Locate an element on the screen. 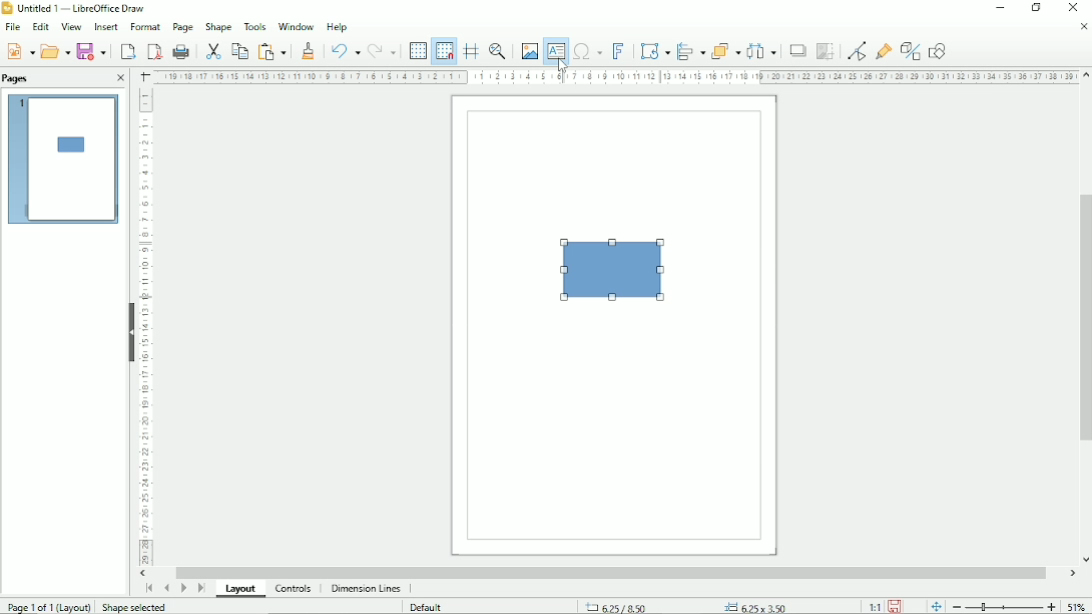 The image size is (1092, 614). Zoom factor is located at coordinates (1076, 605).